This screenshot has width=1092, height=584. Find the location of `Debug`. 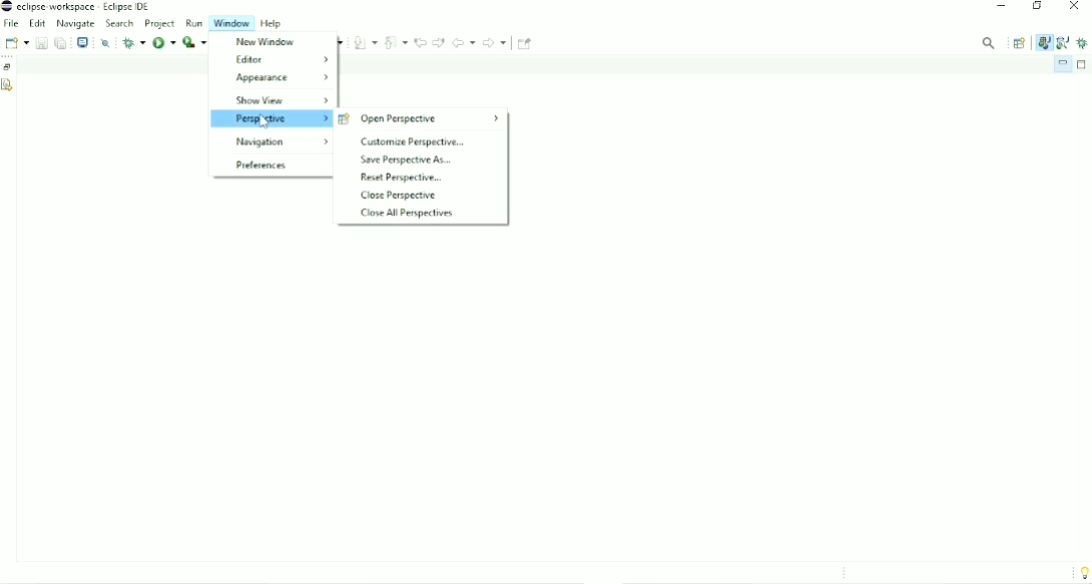

Debug is located at coordinates (133, 42).